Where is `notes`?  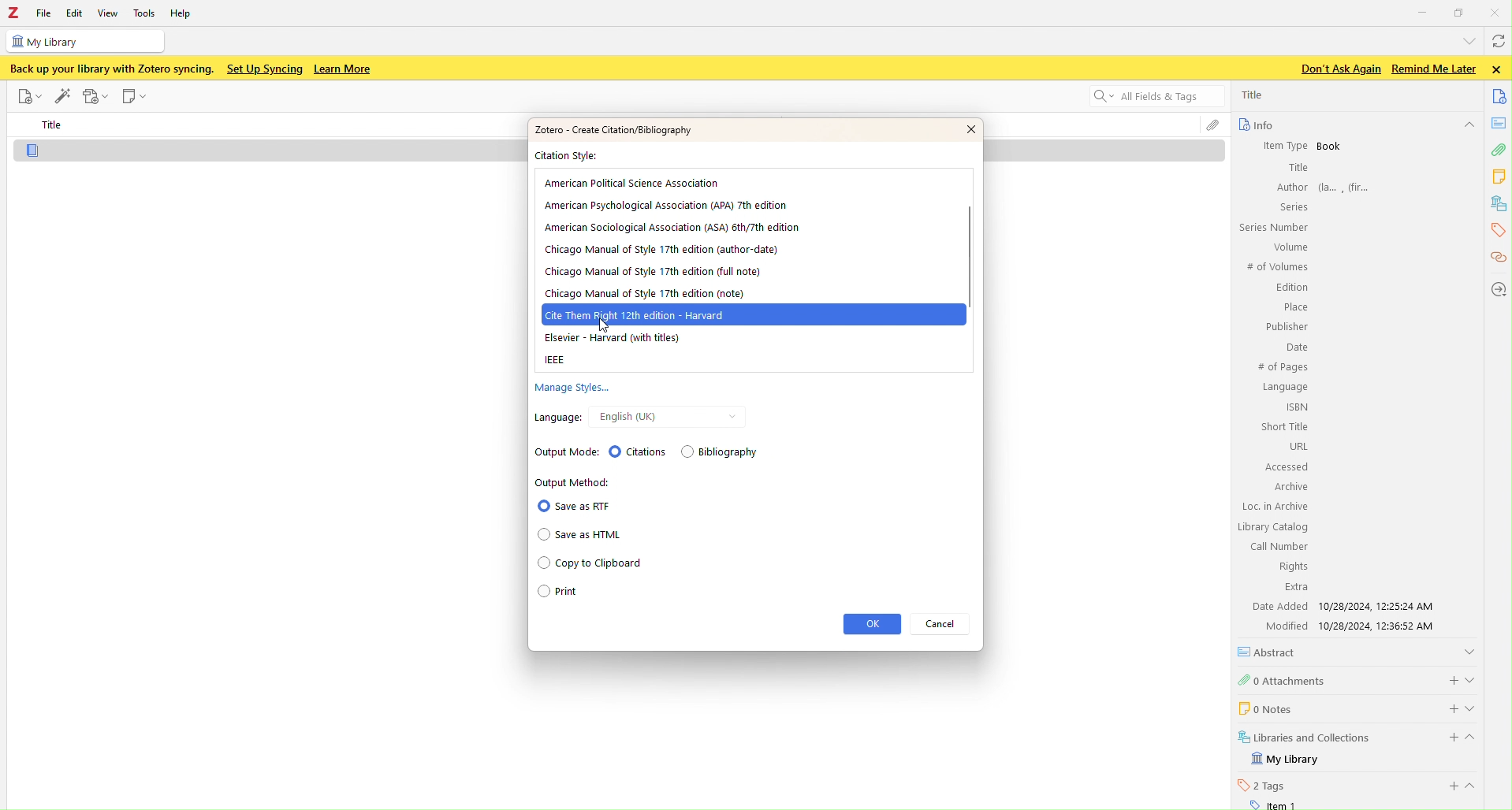
notes is located at coordinates (1500, 123).